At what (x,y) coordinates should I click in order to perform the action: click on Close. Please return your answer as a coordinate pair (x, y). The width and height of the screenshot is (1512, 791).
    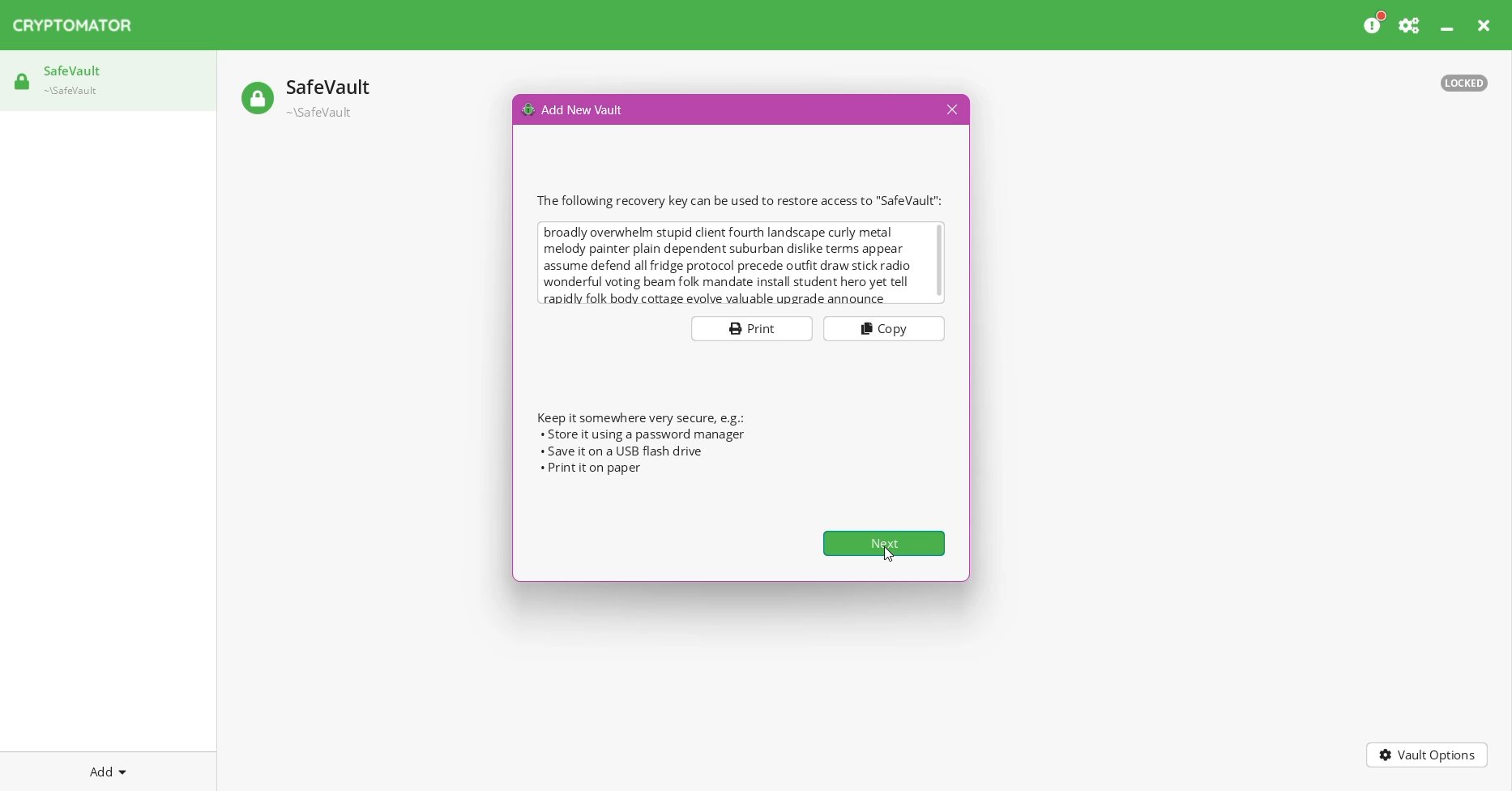
    Looking at the image, I should click on (950, 110).